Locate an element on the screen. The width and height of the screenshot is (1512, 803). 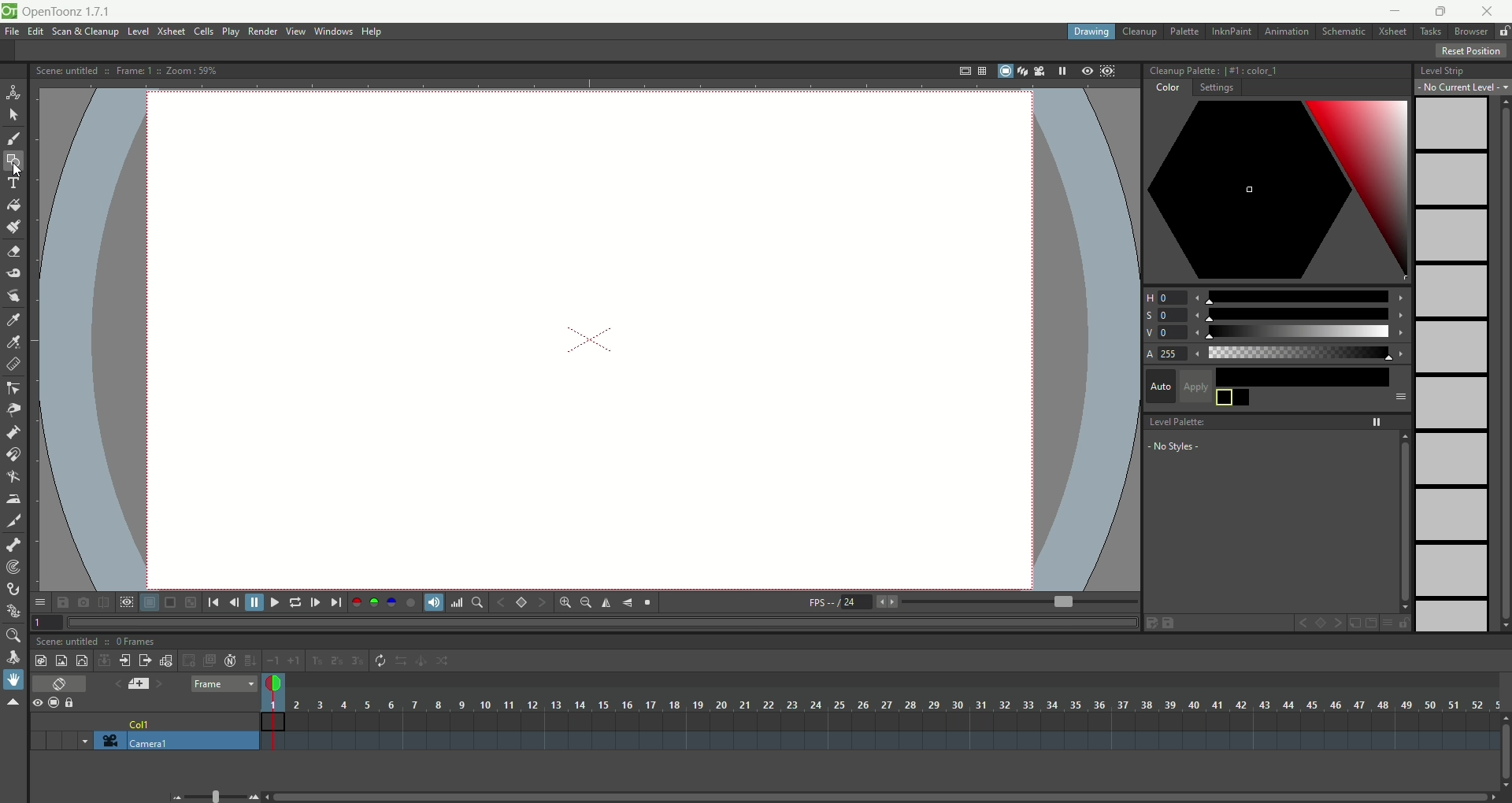
increase steo is located at coordinates (296, 661).